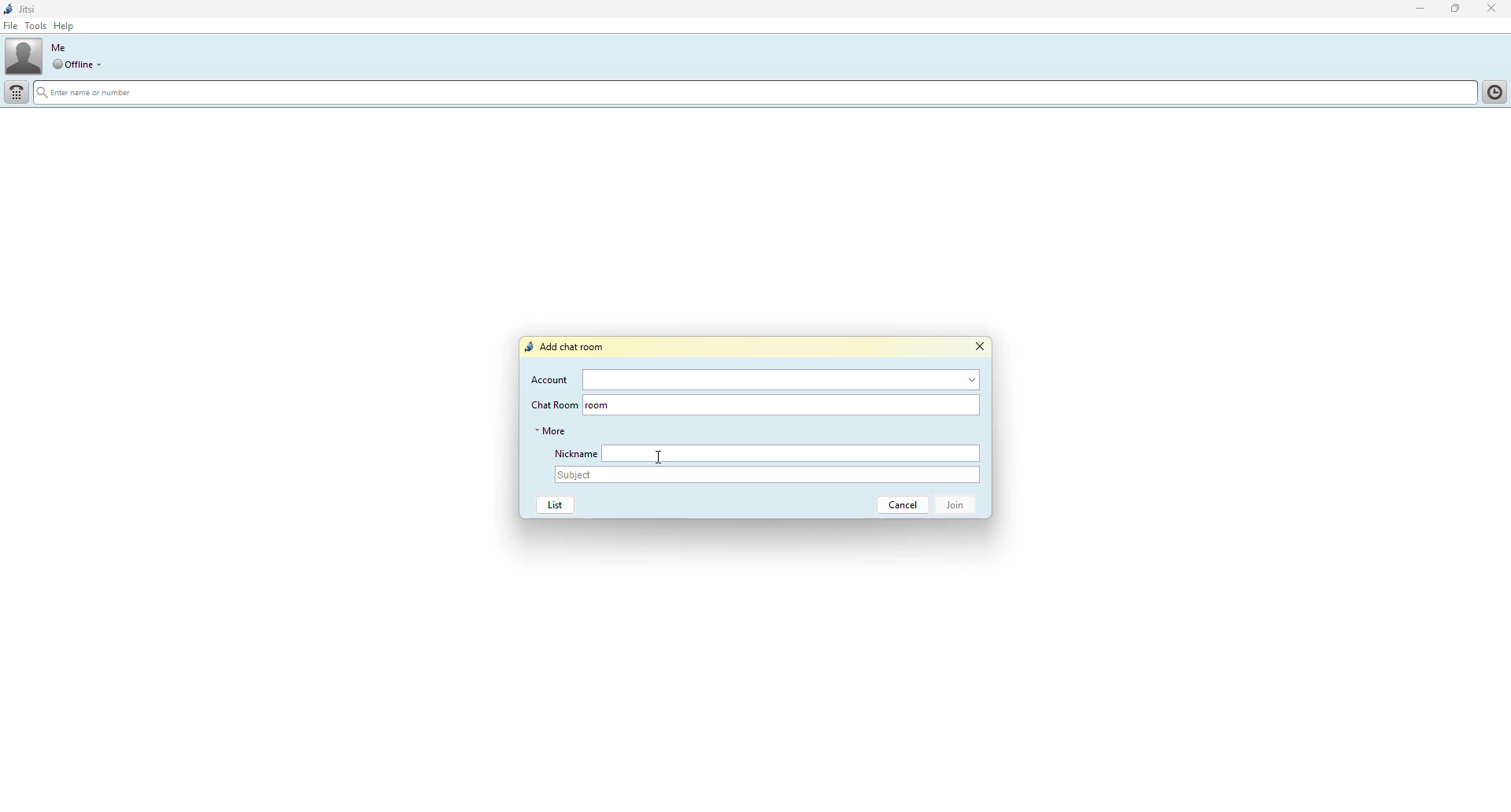 Image resolution: width=1511 pixels, height=812 pixels. I want to click on profile, so click(24, 56).